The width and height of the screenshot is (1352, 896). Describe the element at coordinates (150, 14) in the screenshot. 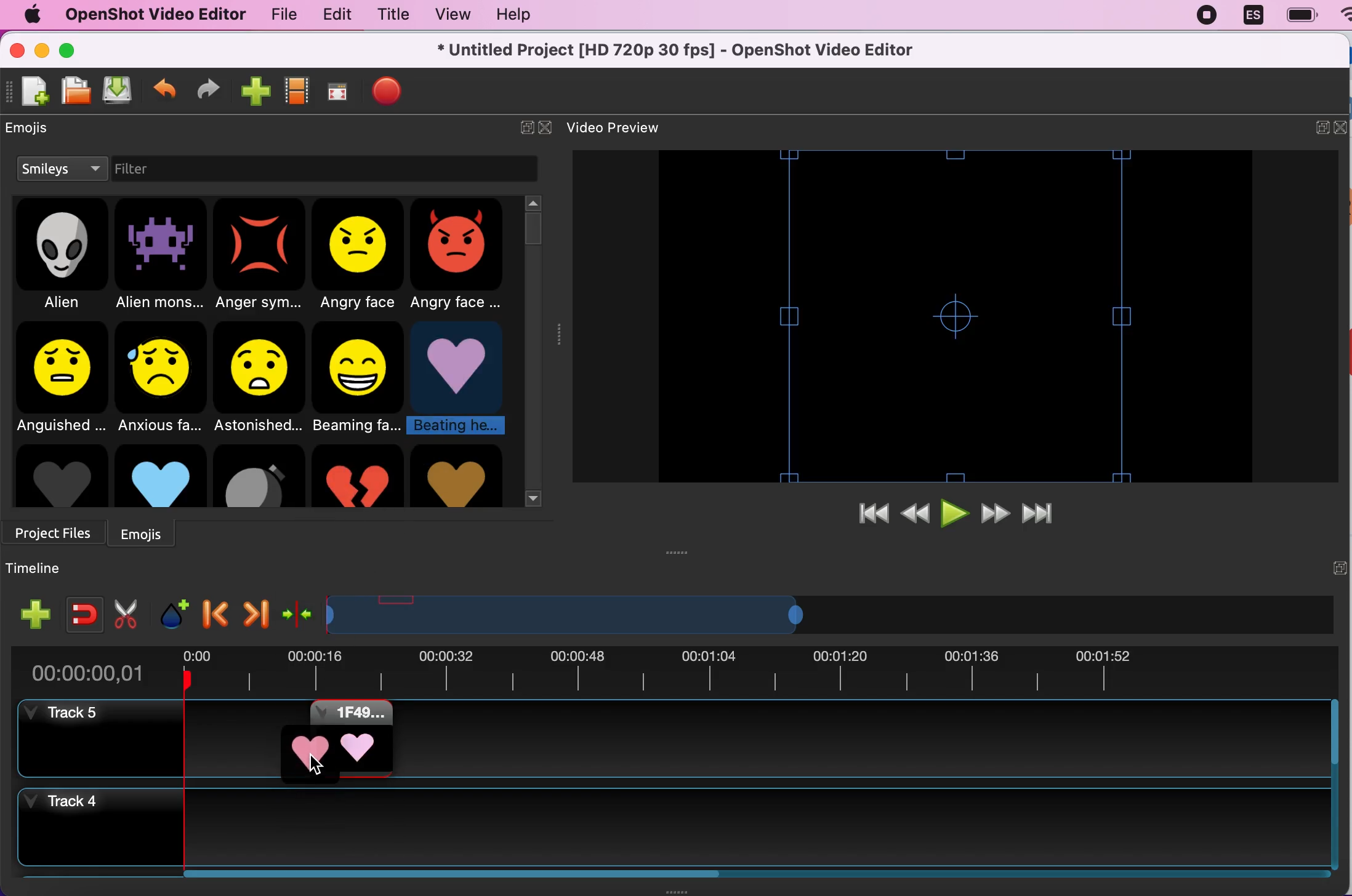

I see `openshot video editor` at that location.